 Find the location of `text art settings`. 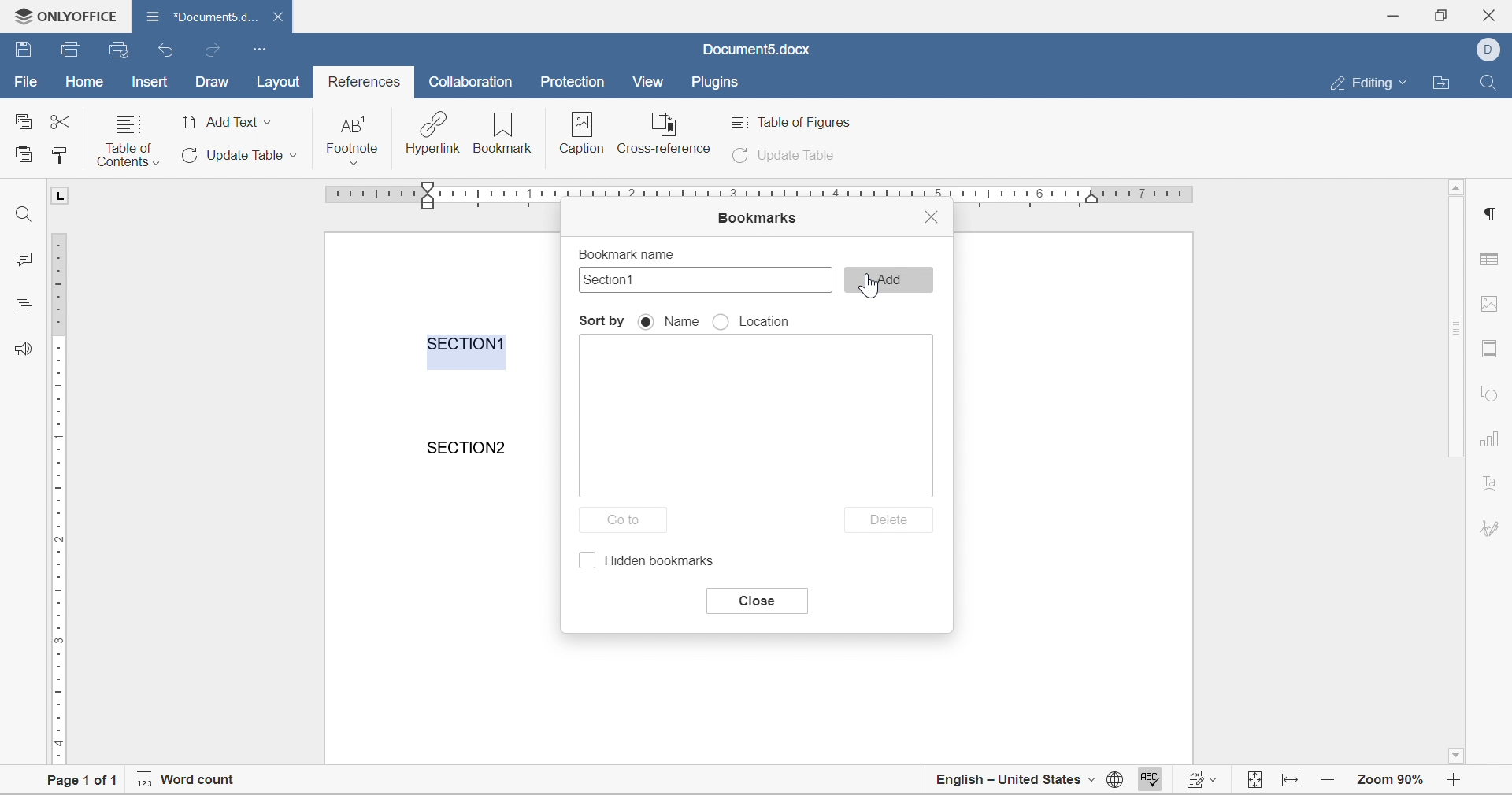

text art settings is located at coordinates (1491, 483).